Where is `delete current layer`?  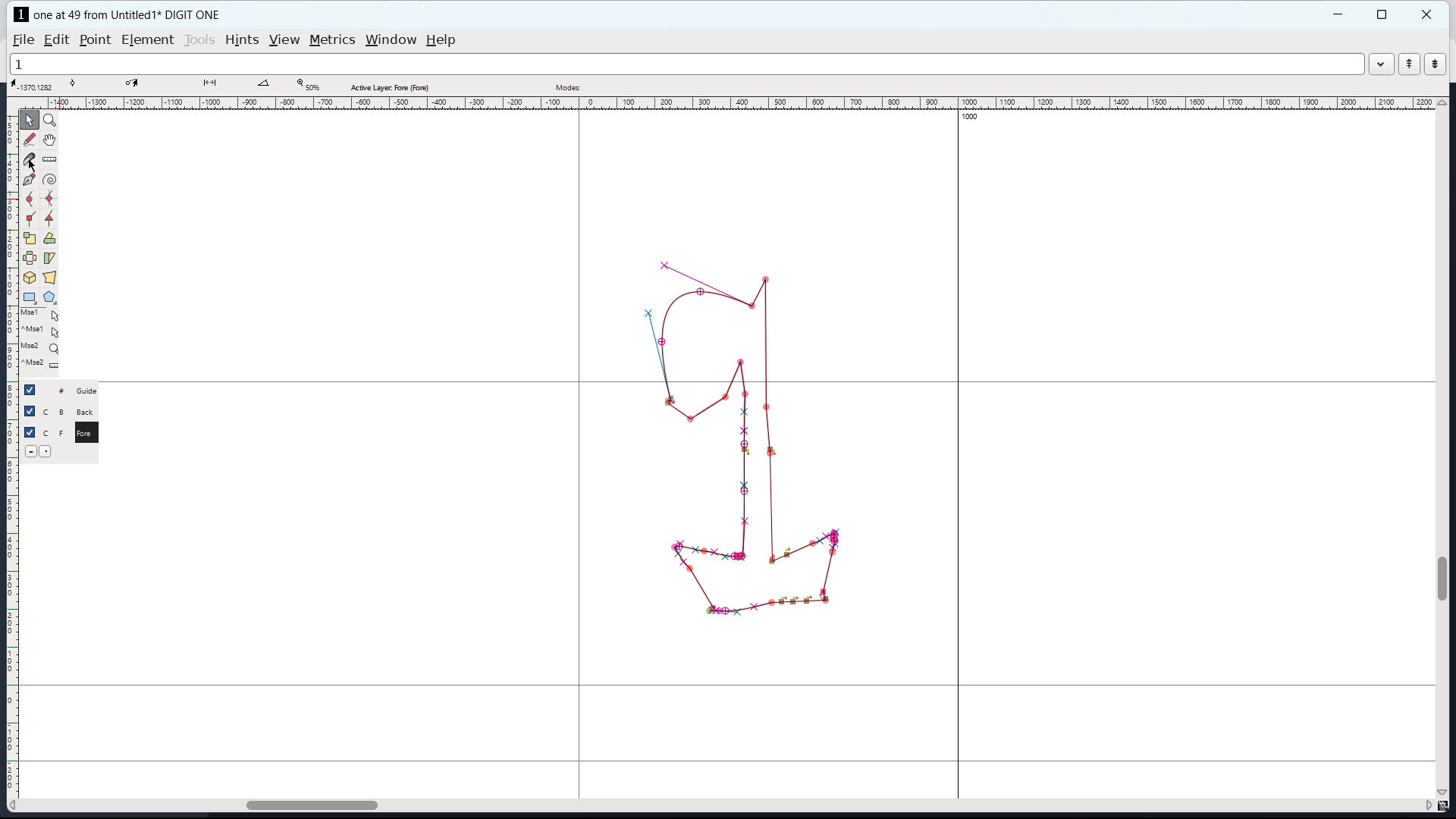 delete current layer is located at coordinates (30, 450).